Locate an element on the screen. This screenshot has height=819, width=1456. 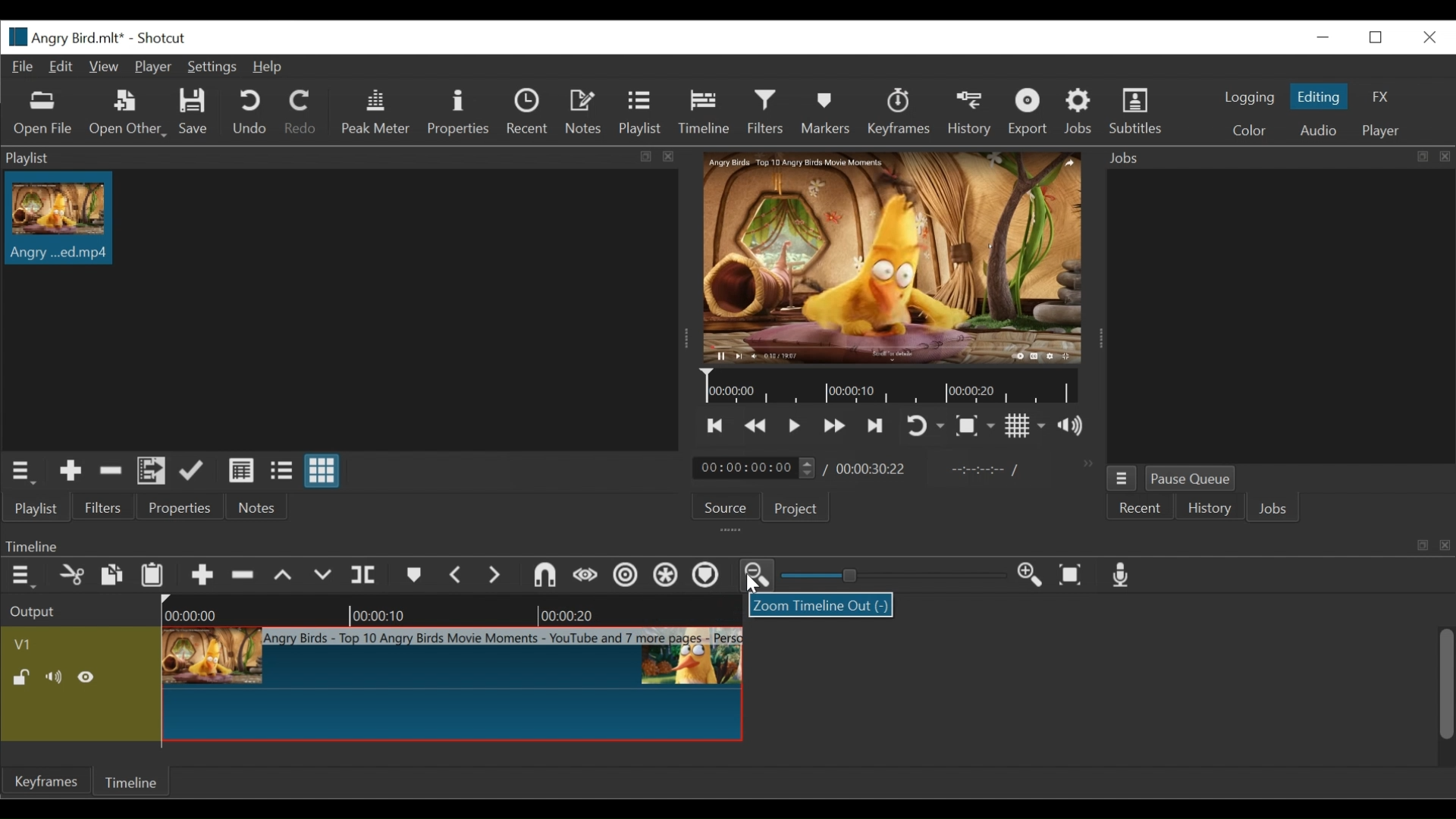
Player is located at coordinates (1380, 131).